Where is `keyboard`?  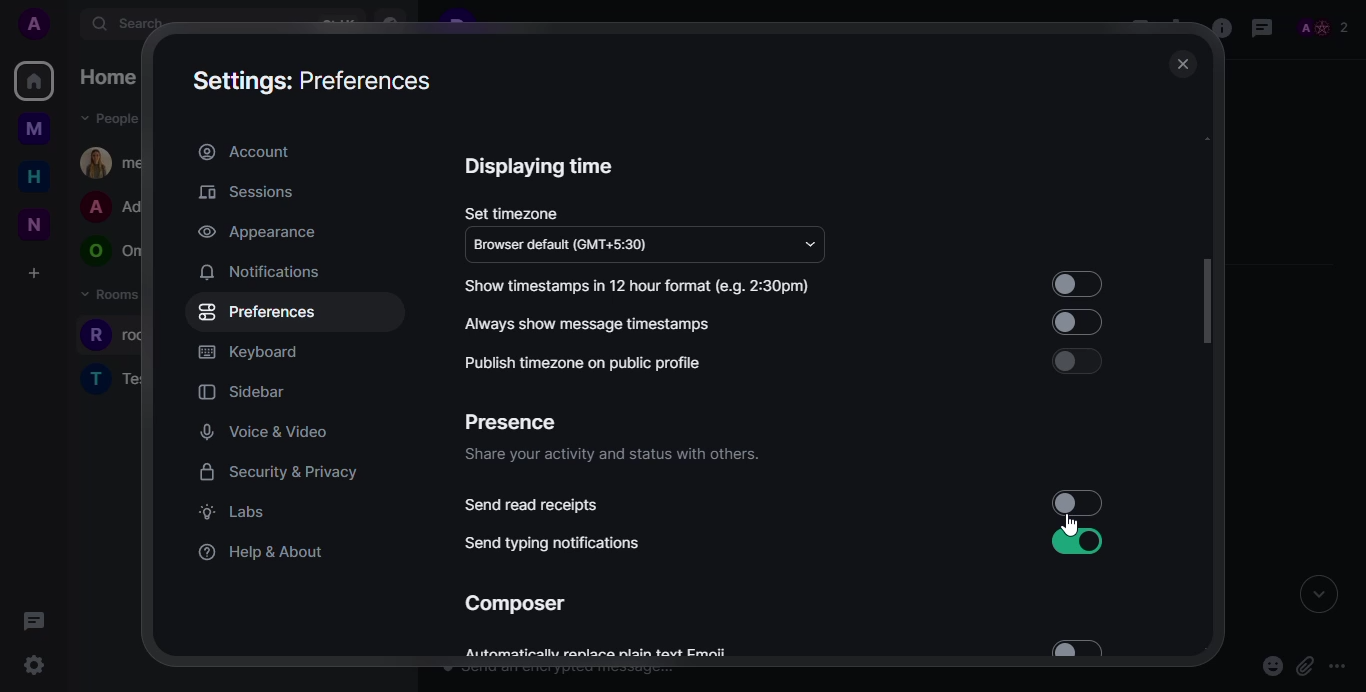
keyboard is located at coordinates (248, 352).